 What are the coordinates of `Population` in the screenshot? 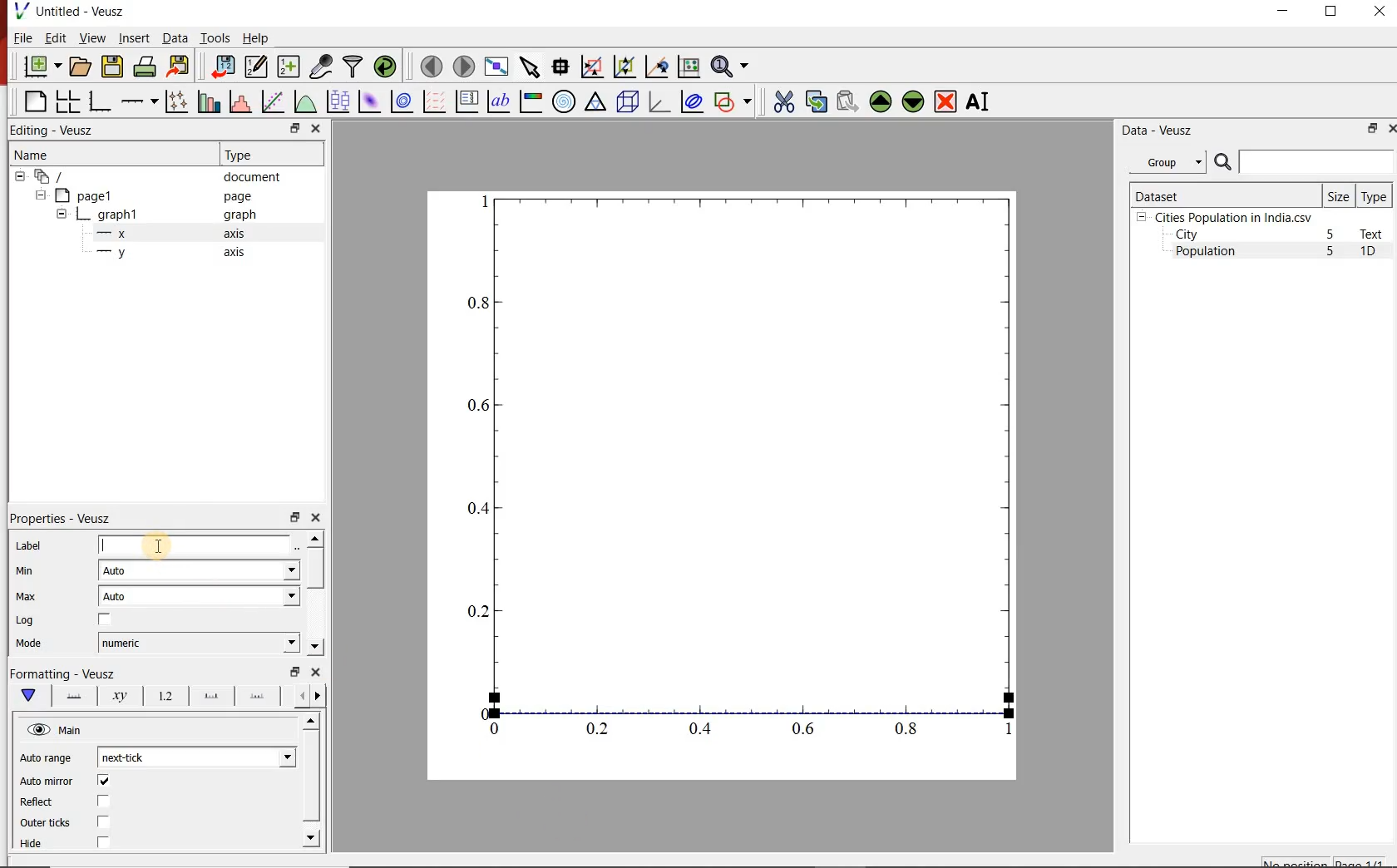 It's located at (1206, 253).